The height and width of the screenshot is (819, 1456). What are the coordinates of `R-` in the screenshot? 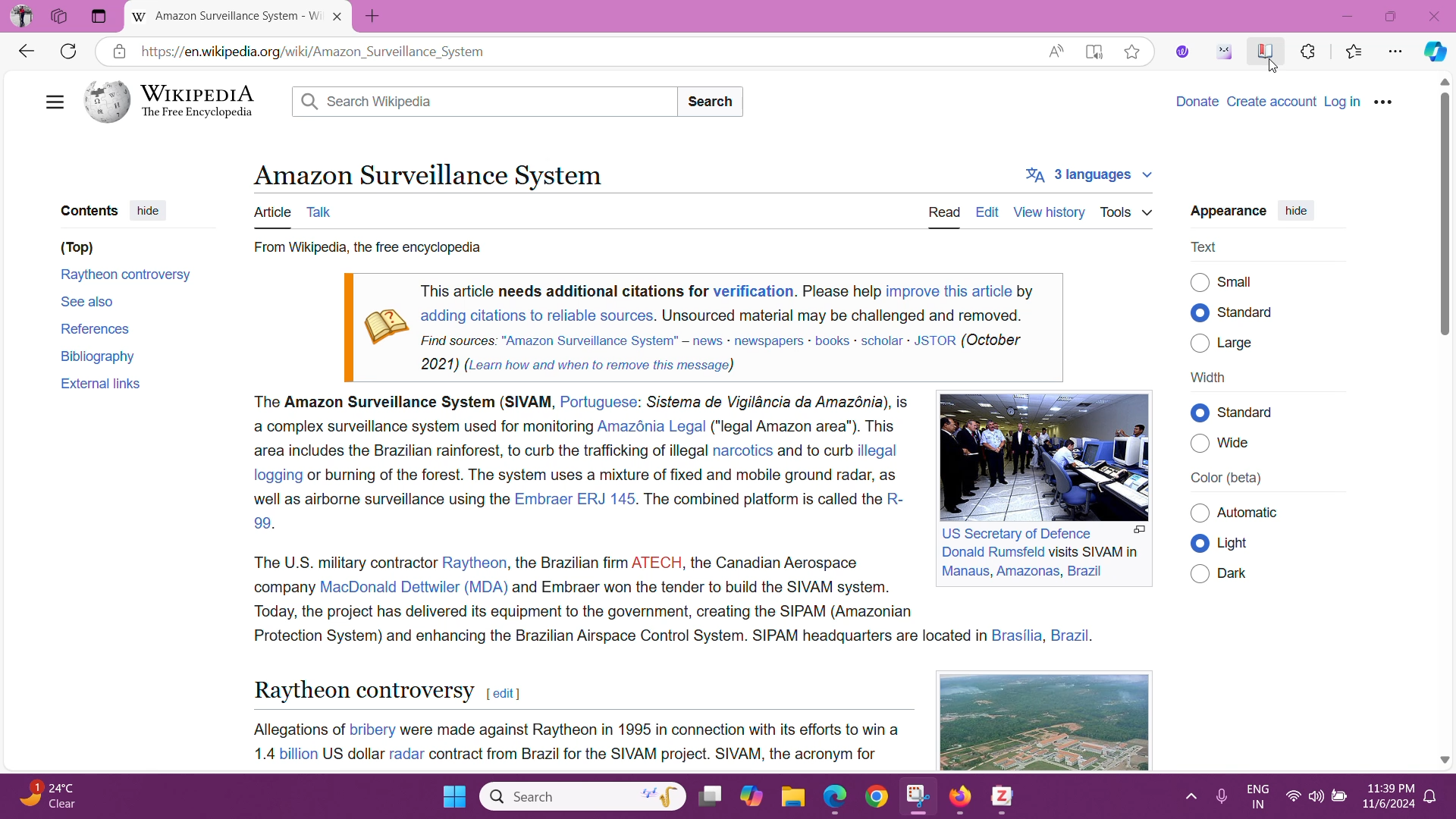 It's located at (895, 500).